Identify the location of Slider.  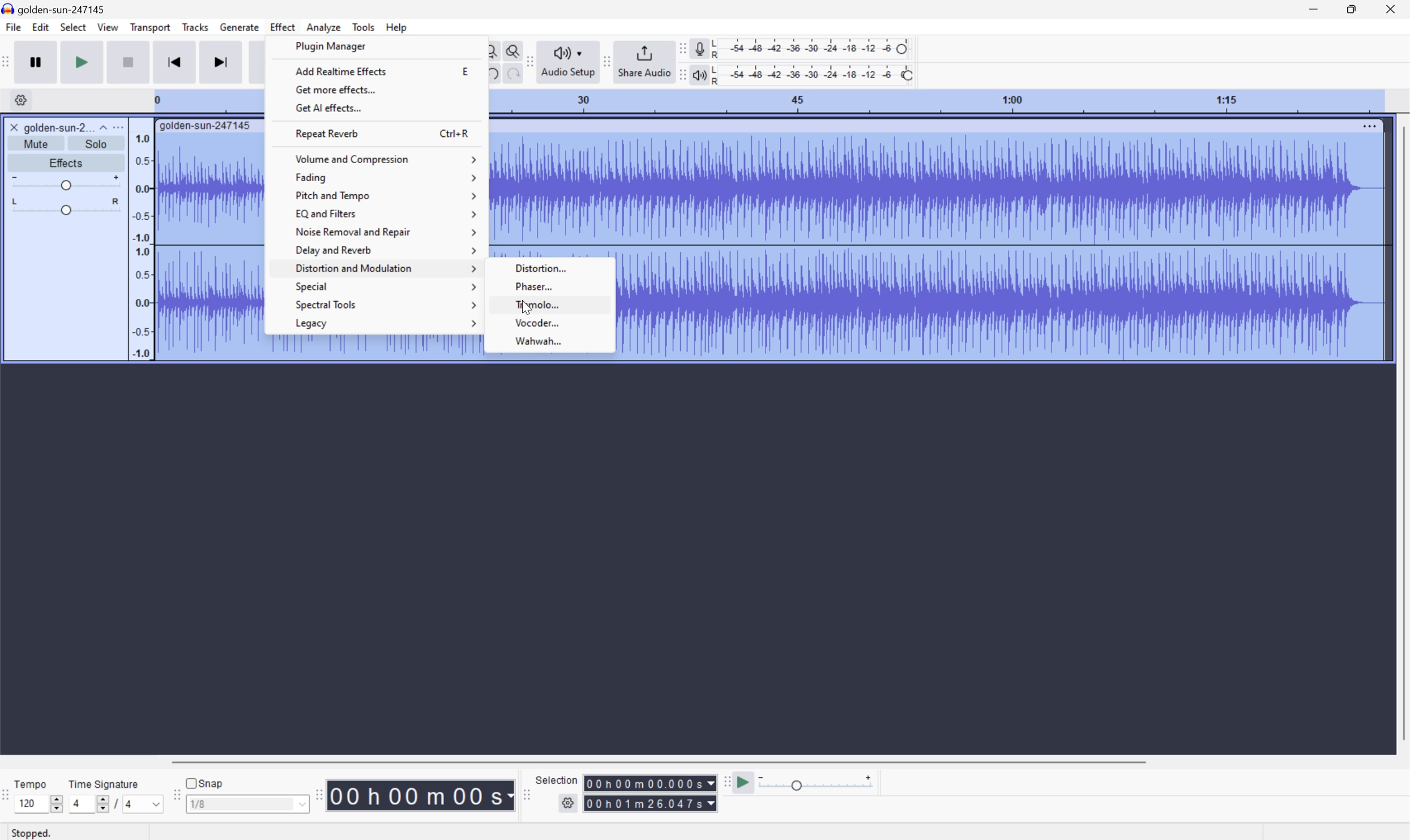
(62, 207).